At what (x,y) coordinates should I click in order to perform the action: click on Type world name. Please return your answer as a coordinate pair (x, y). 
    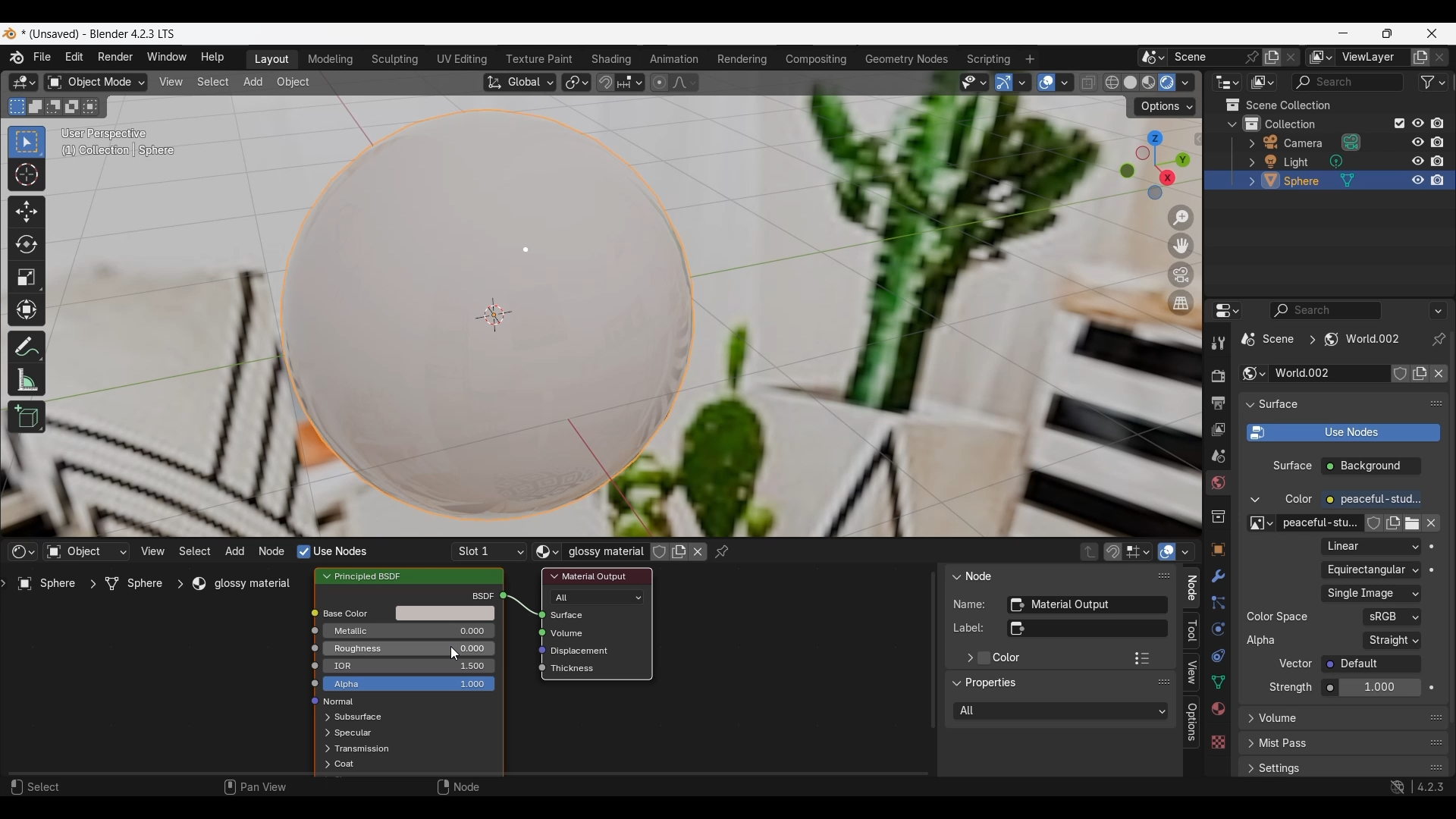
    Looking at the image, I should click on (1327, 373).